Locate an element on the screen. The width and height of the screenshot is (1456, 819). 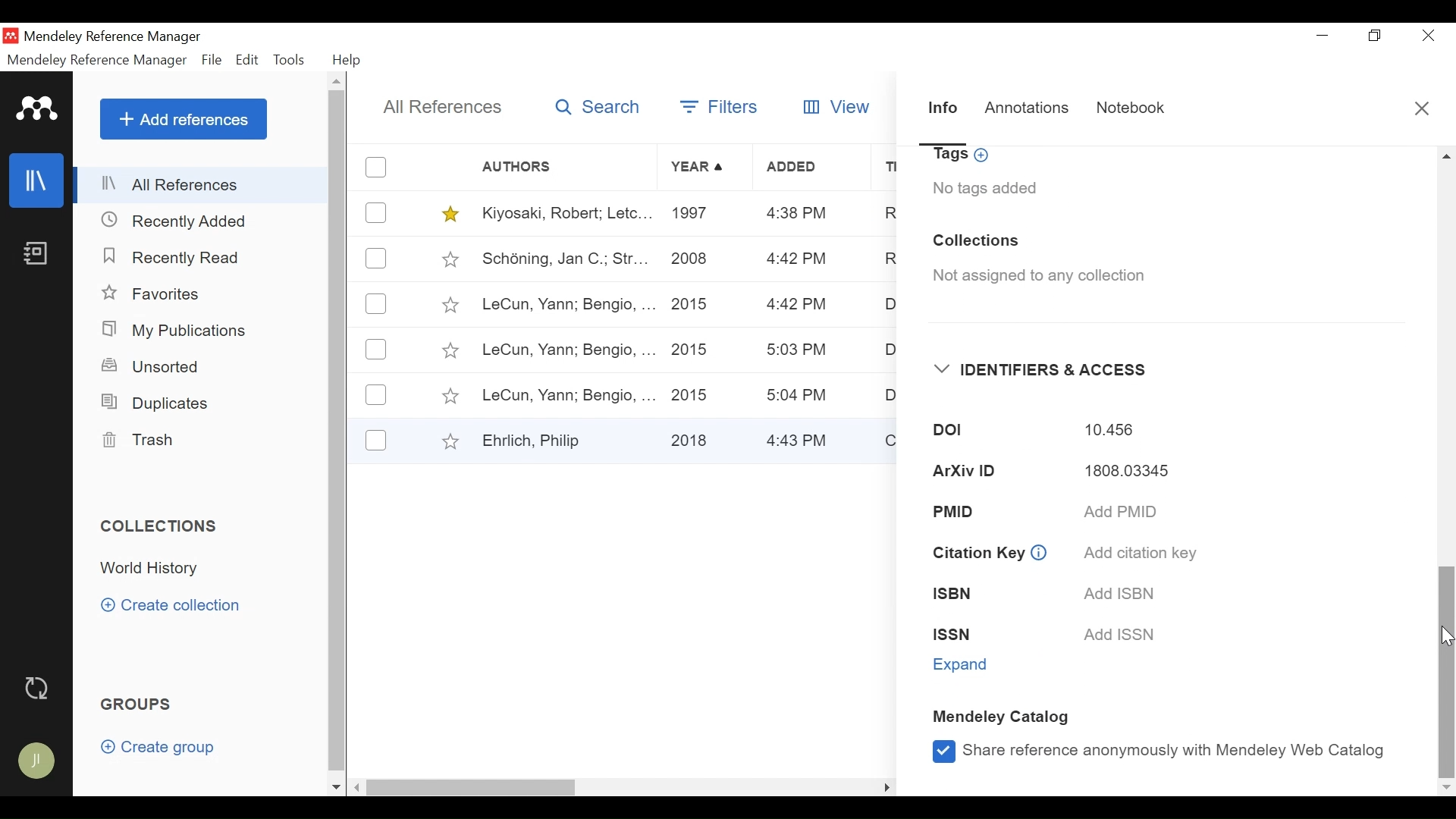
Mendeley Desktop Icon is located at coordinates (11, 36).